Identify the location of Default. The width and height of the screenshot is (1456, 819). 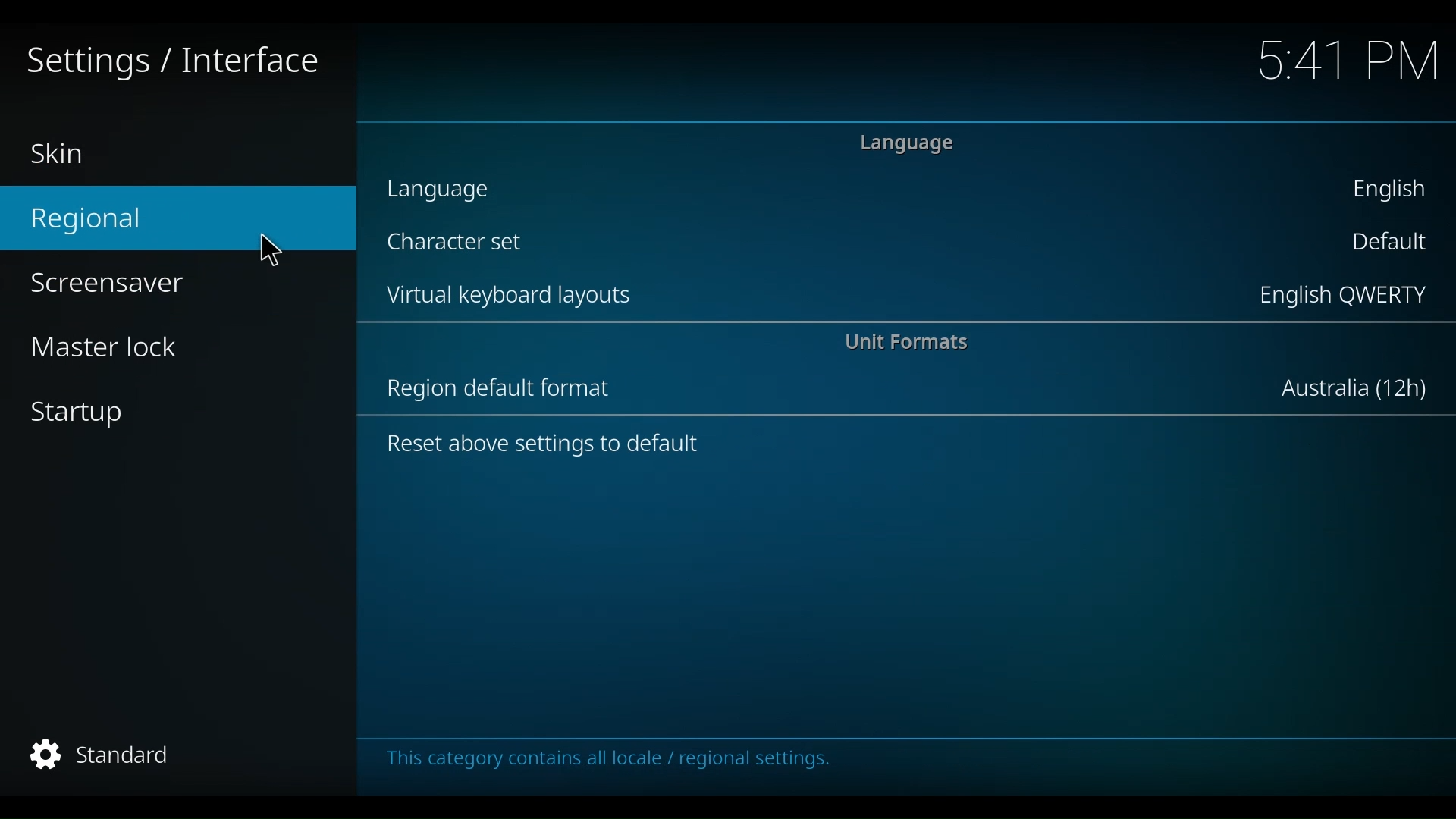
(1389, 237).